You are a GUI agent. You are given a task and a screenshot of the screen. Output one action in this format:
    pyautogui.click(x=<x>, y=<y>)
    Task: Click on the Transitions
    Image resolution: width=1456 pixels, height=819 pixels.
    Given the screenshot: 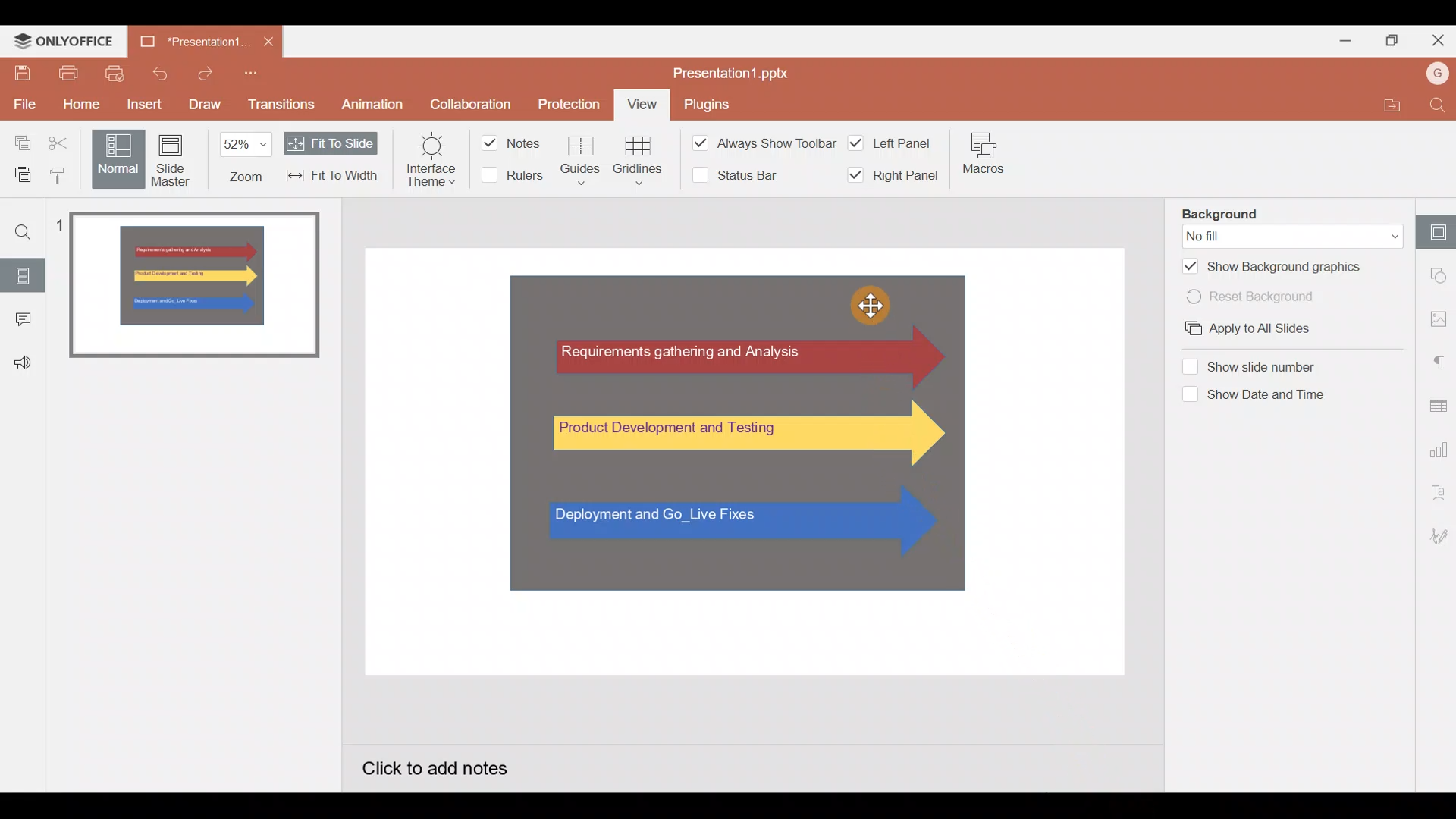 What is the action you would take?
    pyautogui.click(x=282, y=105)
    